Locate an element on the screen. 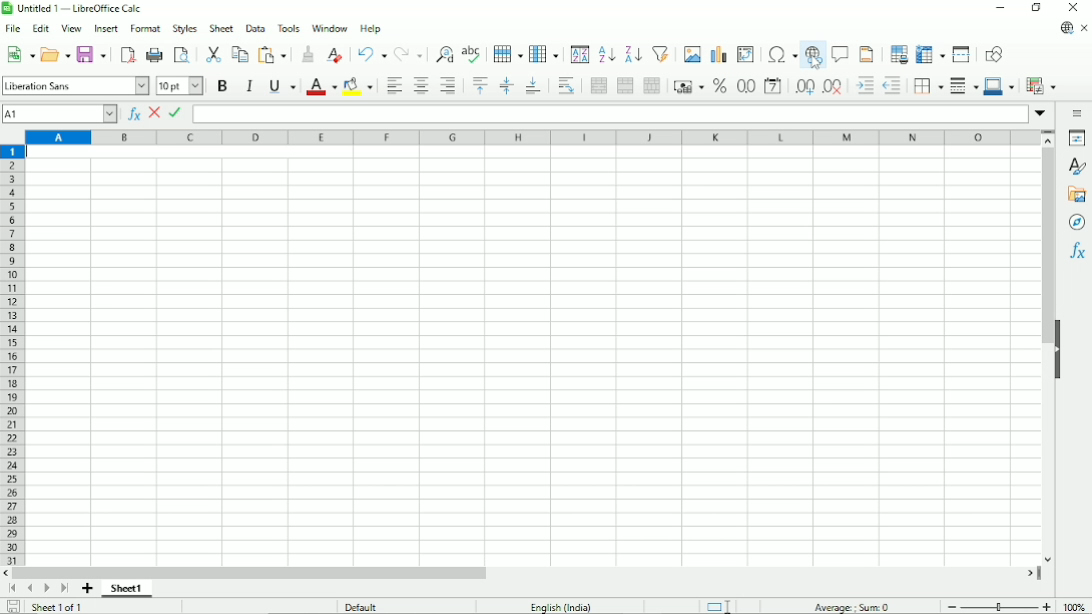 This screenshot has width=1092, height=614. Find and replace is located at coordinates (446, 52).